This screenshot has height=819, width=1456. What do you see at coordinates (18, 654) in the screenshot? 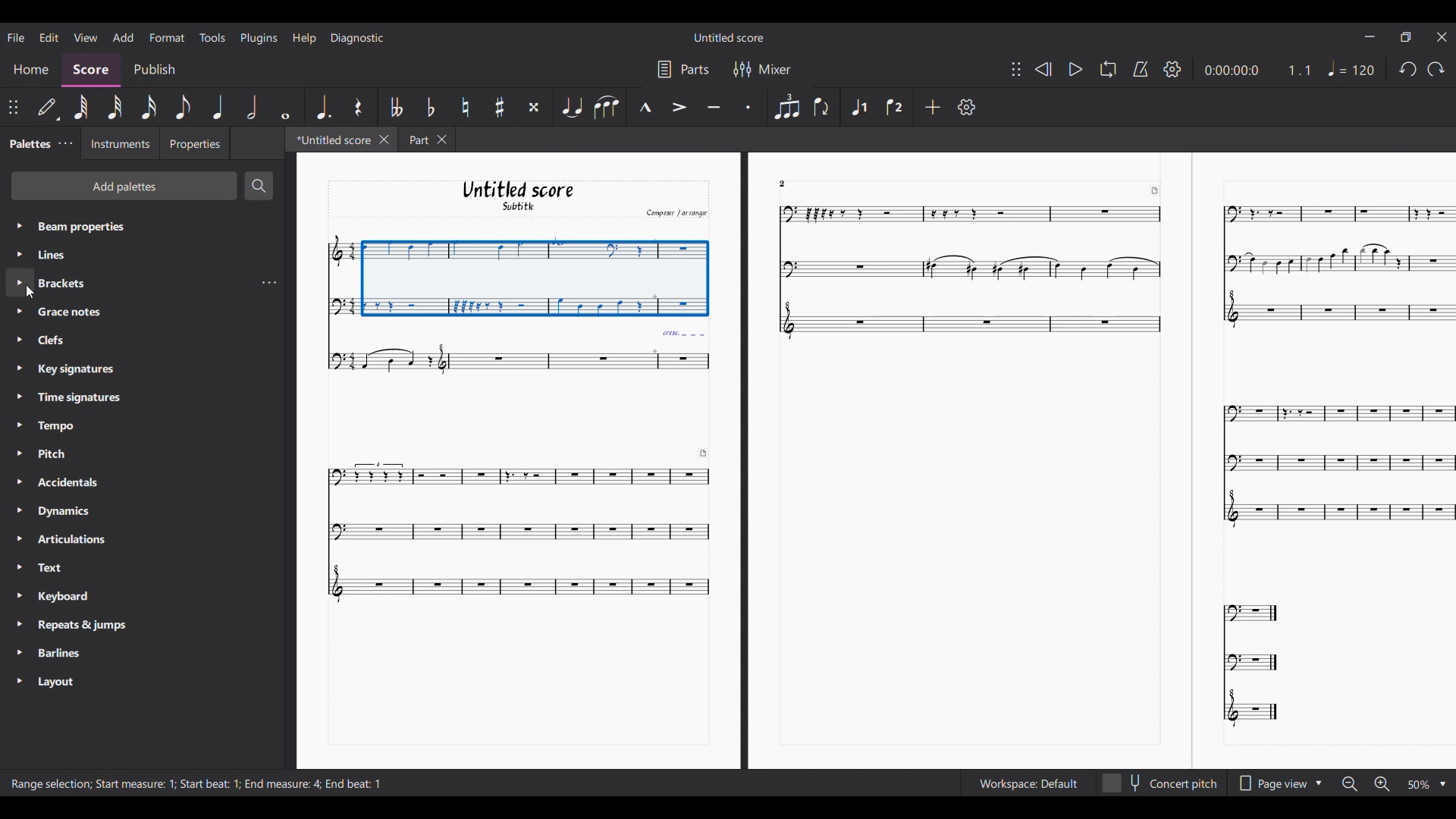
I see `` at bounding box center [18, 654].